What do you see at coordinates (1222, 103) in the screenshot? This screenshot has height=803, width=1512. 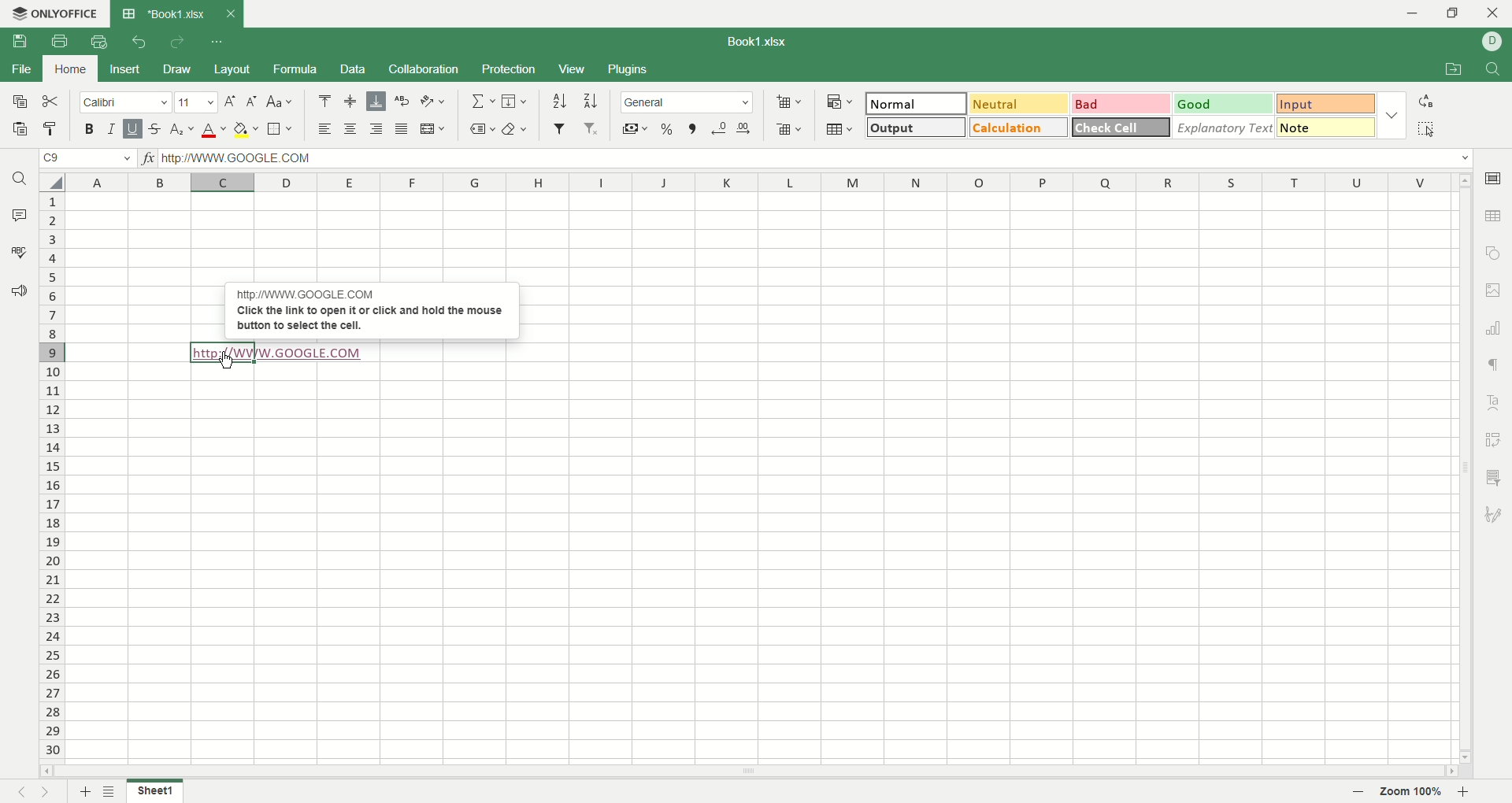 I see `good` at bounding box center [1222, 103].